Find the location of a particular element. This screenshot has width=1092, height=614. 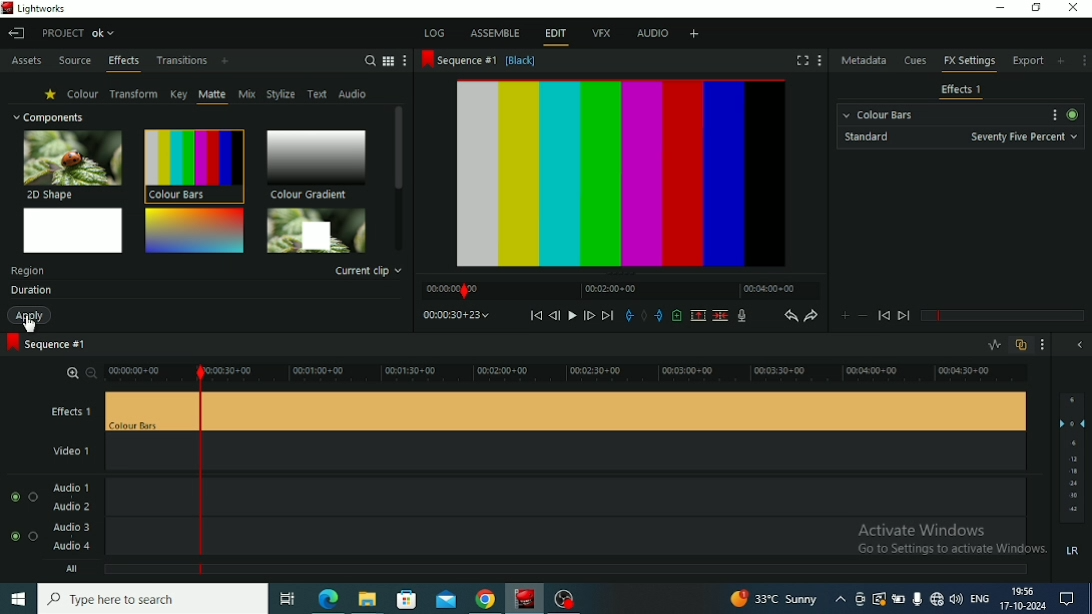

Audio 3 and 4 is located at coordinates (626, 538).